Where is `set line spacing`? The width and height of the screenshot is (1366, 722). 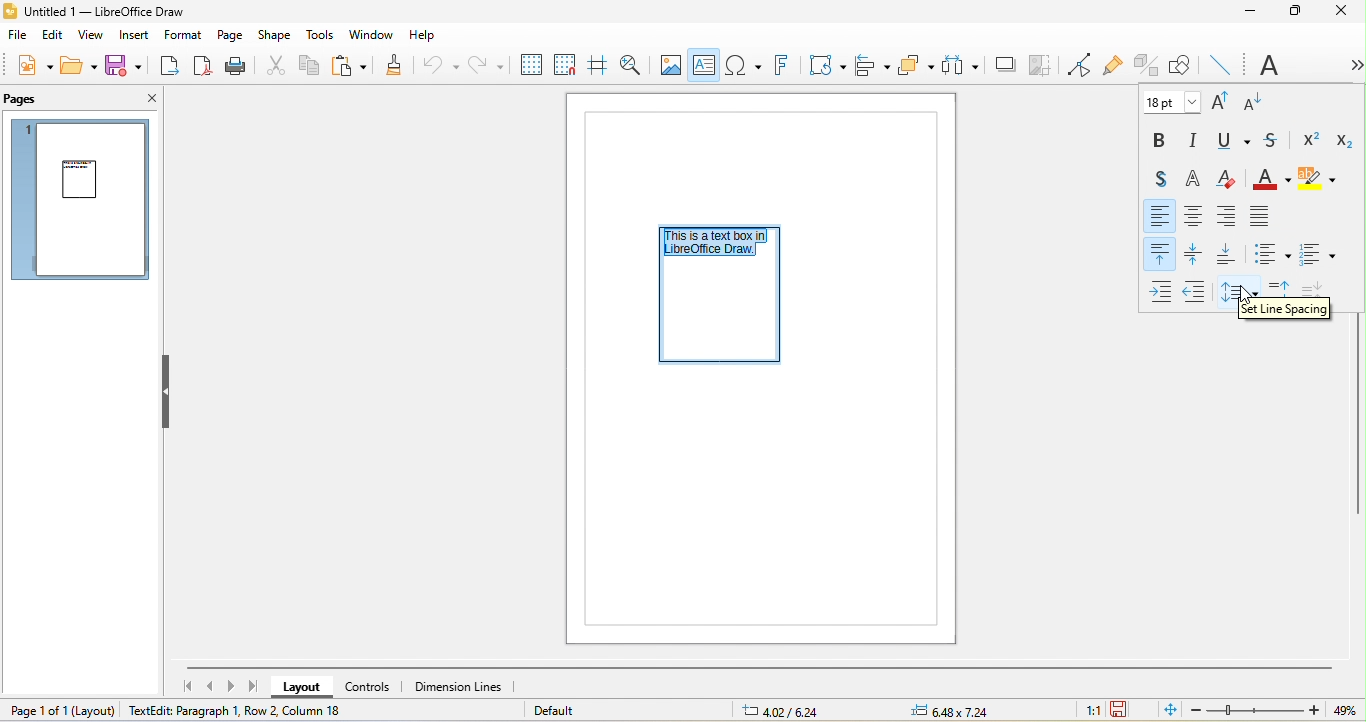 set line spacing is located at coordinates (1243, 290).